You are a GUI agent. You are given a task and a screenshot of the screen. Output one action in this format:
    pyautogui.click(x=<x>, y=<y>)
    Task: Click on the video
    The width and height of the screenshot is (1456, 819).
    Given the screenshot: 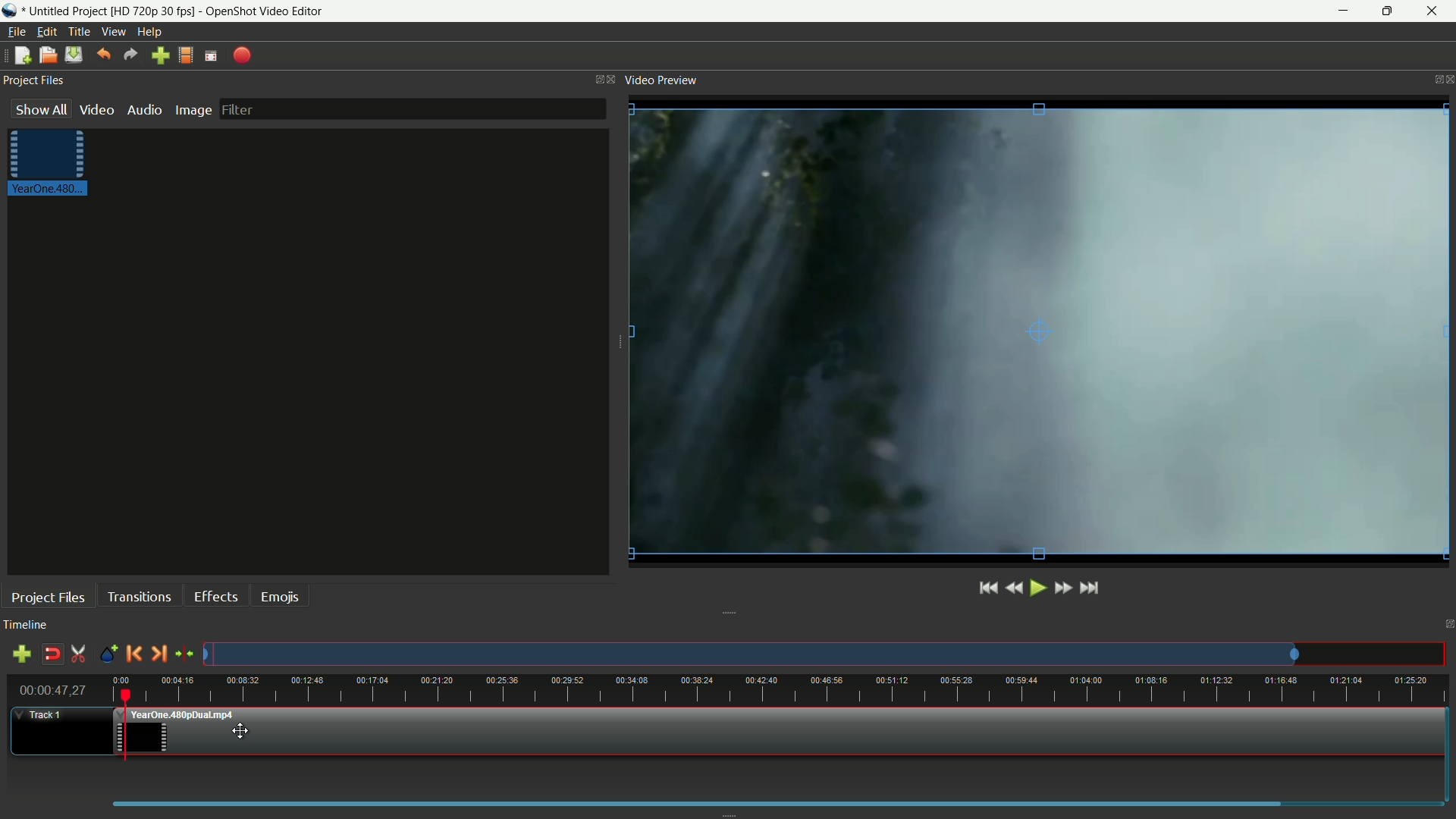 What is the action you would take?
    pyautogui.click(x=97, y=109)
    